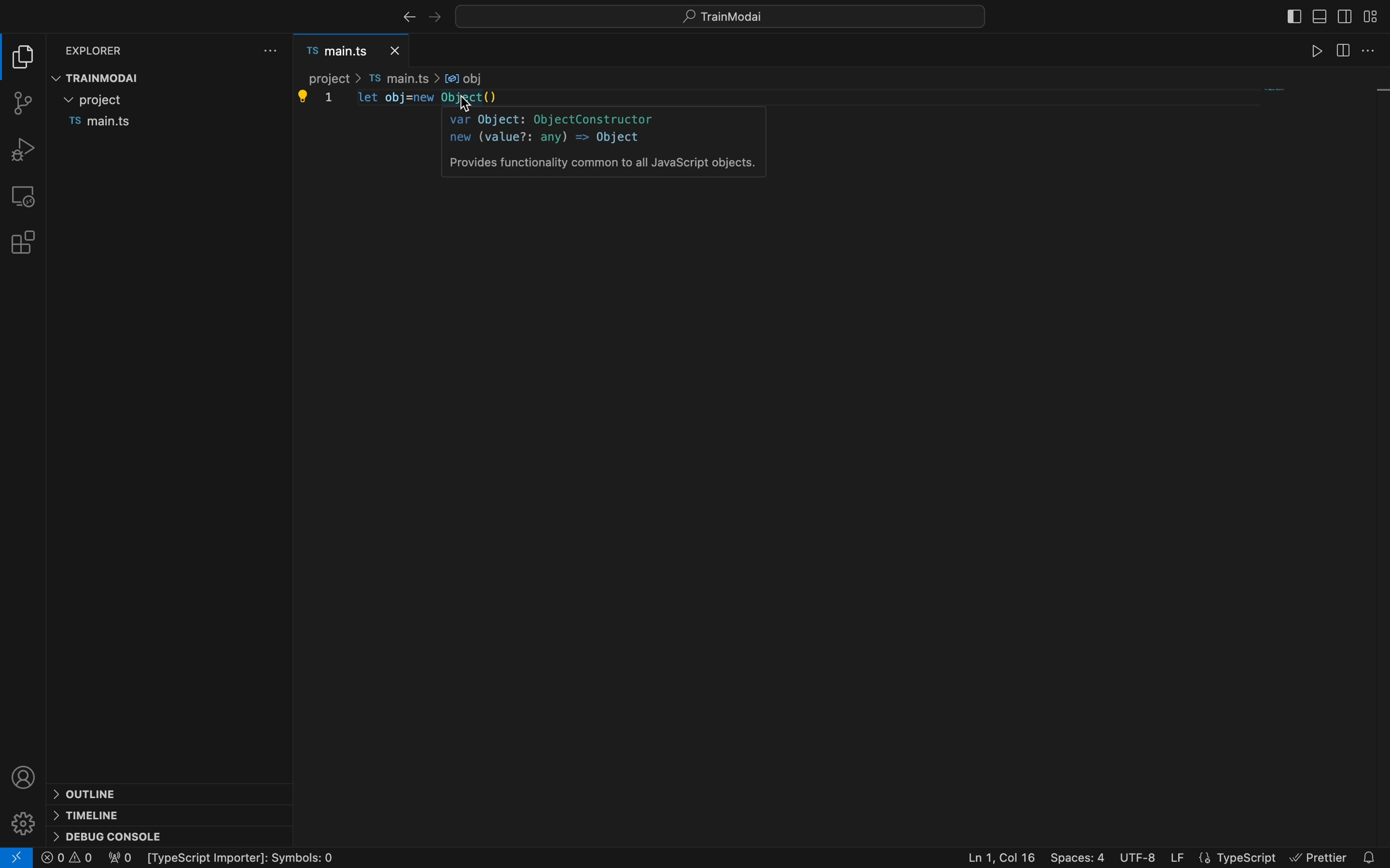 The height and width of the screenshot is (868, 1390). What do you see at coordinates (1078, 854) in the screenshot?
I see `Spaces : 4` at bounding box center [1078, 854].